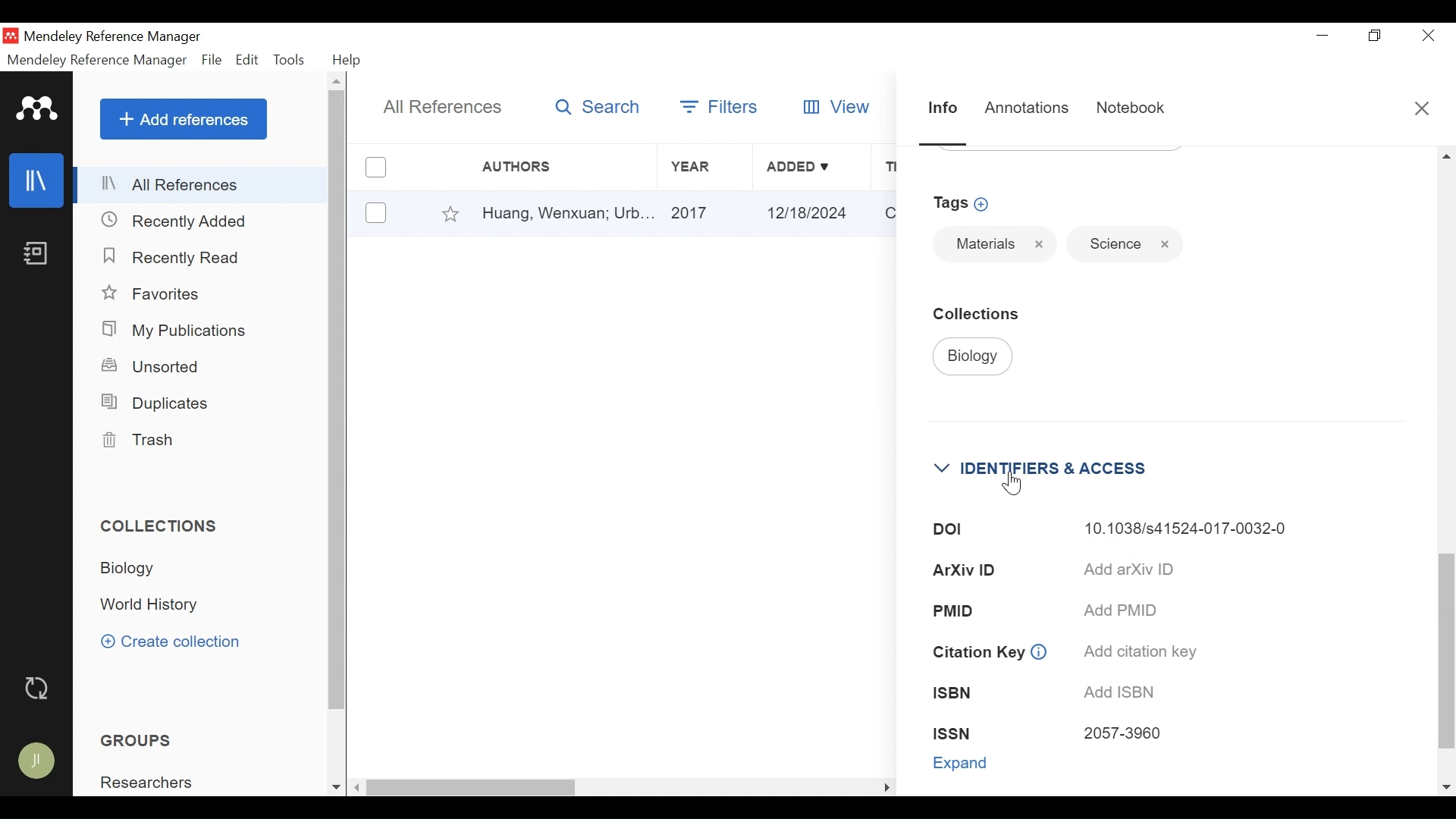  Describe the element at coordinates (152, 366) in the screenshot. I see `Unsorted` at that location.